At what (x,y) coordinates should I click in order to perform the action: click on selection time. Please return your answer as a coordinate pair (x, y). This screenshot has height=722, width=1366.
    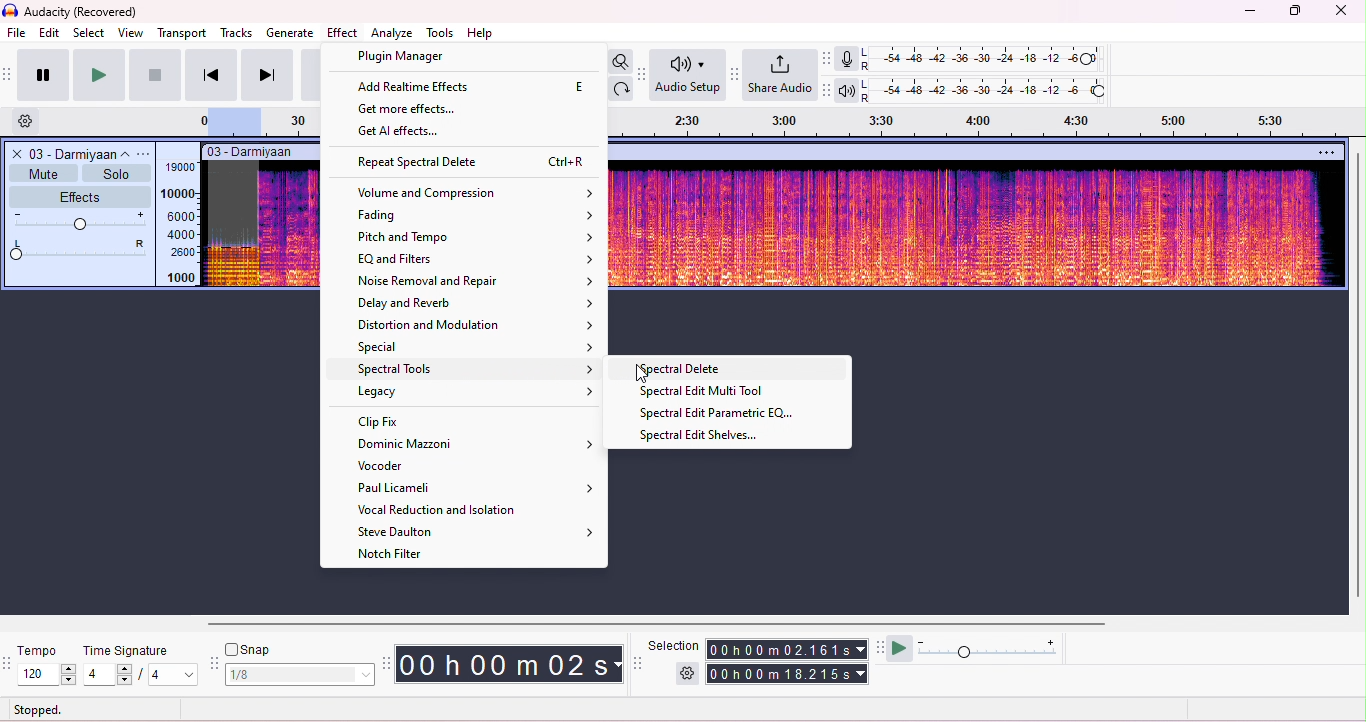
    Looking at the image, I should click on (789, 649).